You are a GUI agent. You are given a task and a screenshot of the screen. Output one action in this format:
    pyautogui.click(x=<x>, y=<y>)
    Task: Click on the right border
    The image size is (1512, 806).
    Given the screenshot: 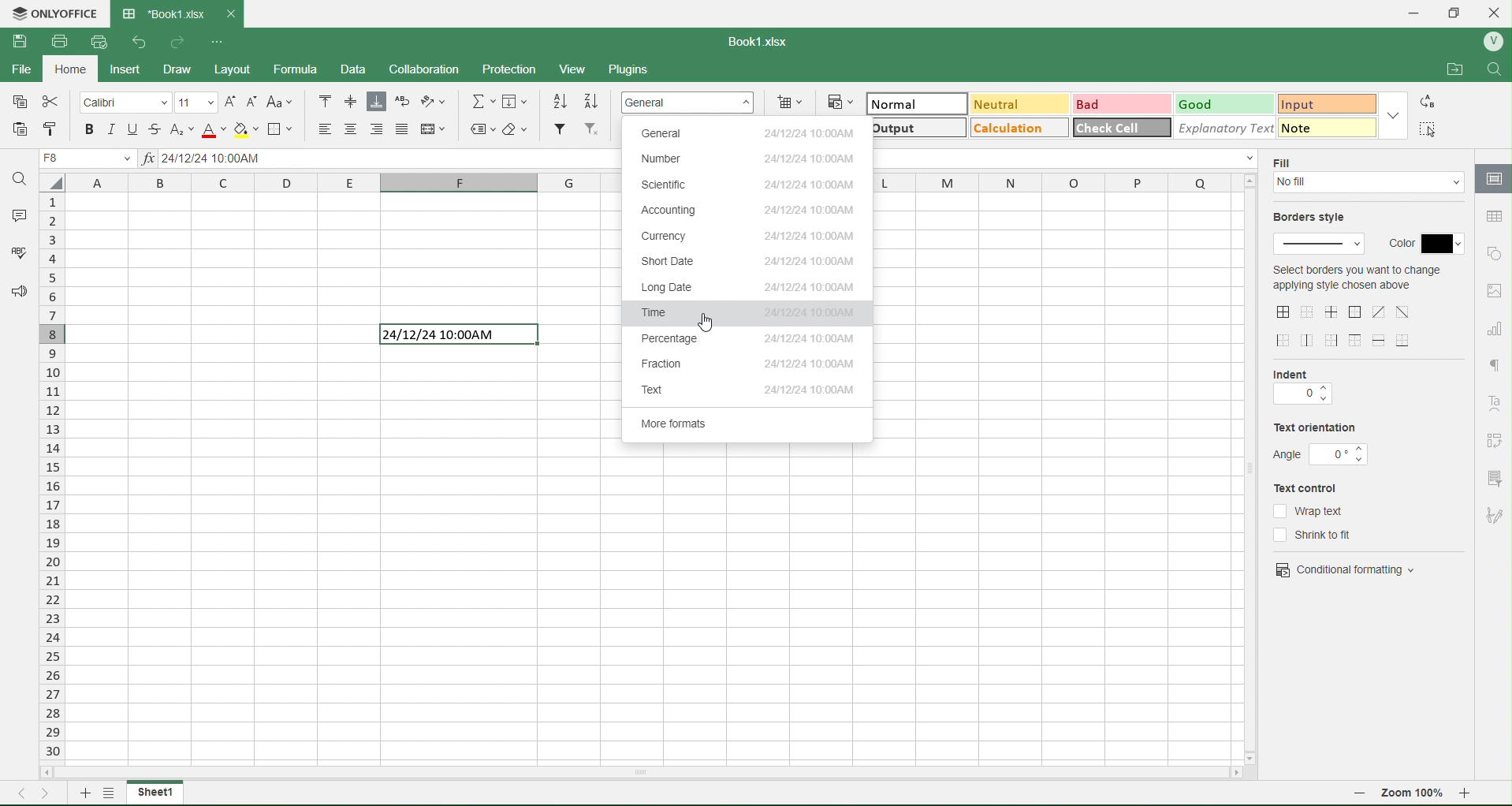 What is the action you would take?
    pyautogui.click(x=1333, y=340)
    